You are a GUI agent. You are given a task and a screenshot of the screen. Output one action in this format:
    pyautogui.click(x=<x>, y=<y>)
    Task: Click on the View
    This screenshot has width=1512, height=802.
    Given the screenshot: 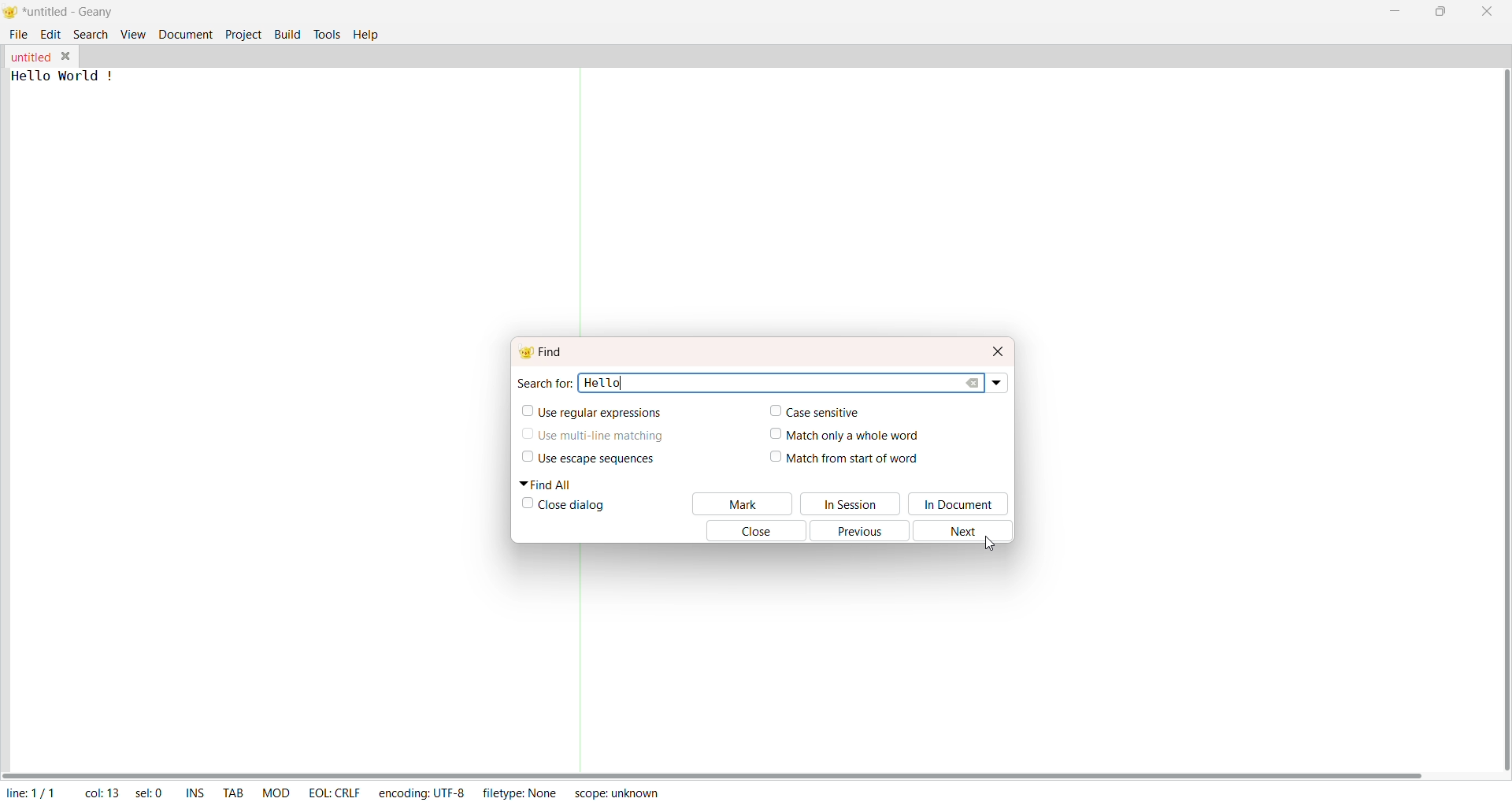 What is the action you would take?
    pyautogui.click(x=131, y=35)
    